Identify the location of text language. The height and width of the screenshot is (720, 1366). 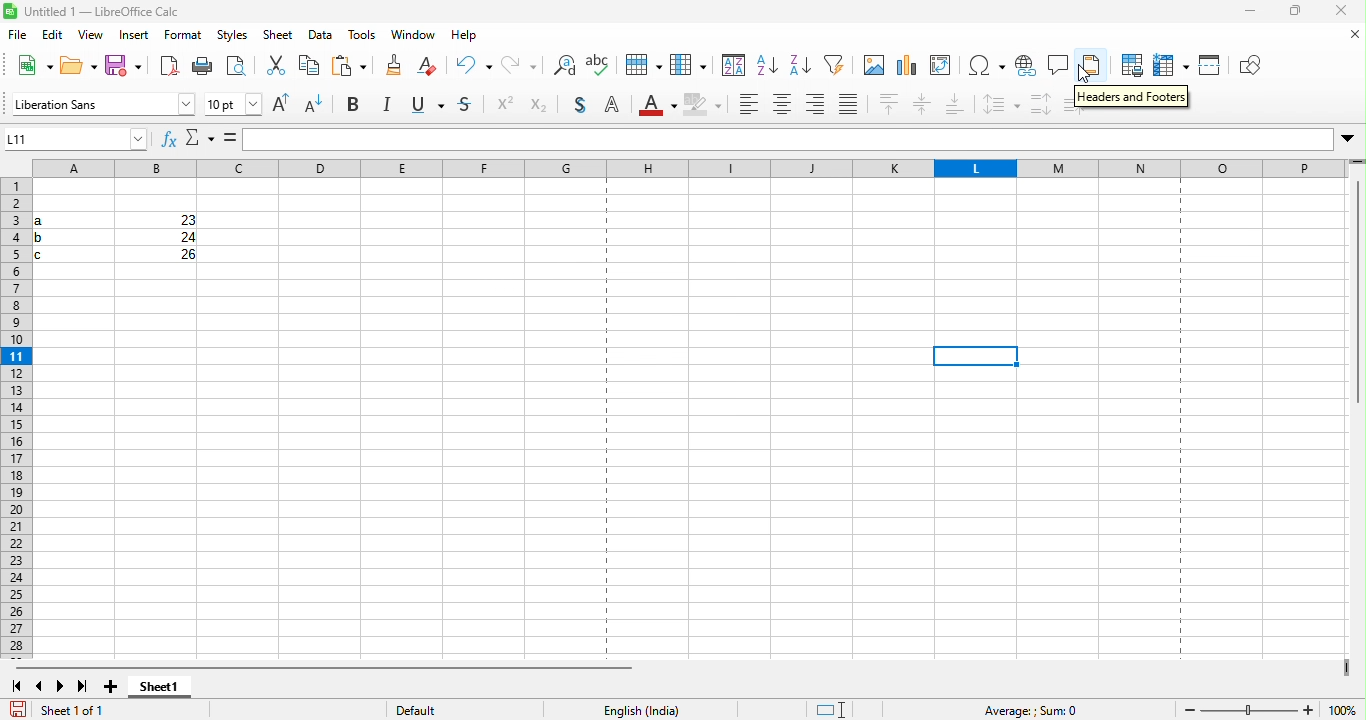
(652, 708).